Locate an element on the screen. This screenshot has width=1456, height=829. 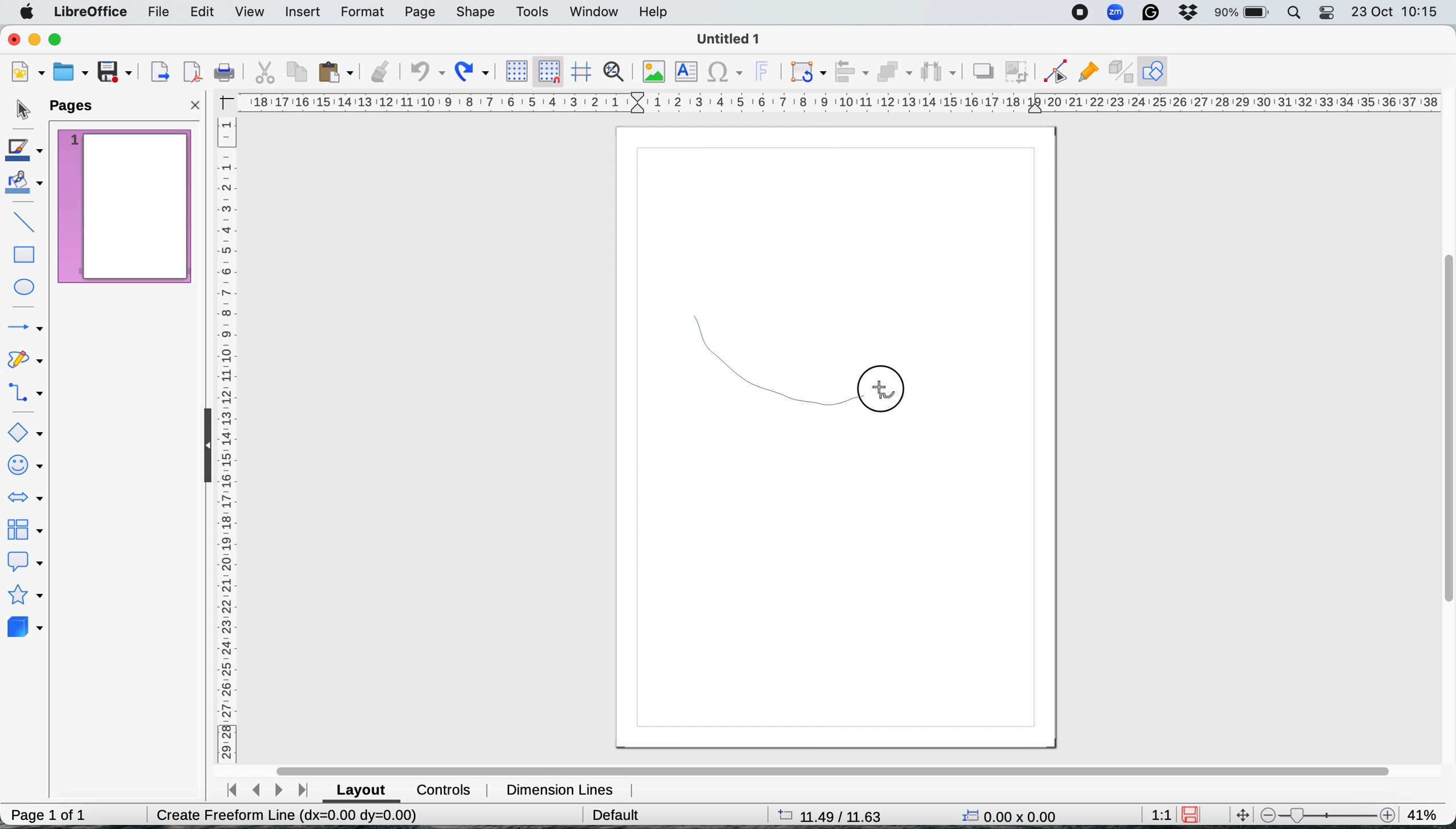
shadow is located at coordinates (984, 72).